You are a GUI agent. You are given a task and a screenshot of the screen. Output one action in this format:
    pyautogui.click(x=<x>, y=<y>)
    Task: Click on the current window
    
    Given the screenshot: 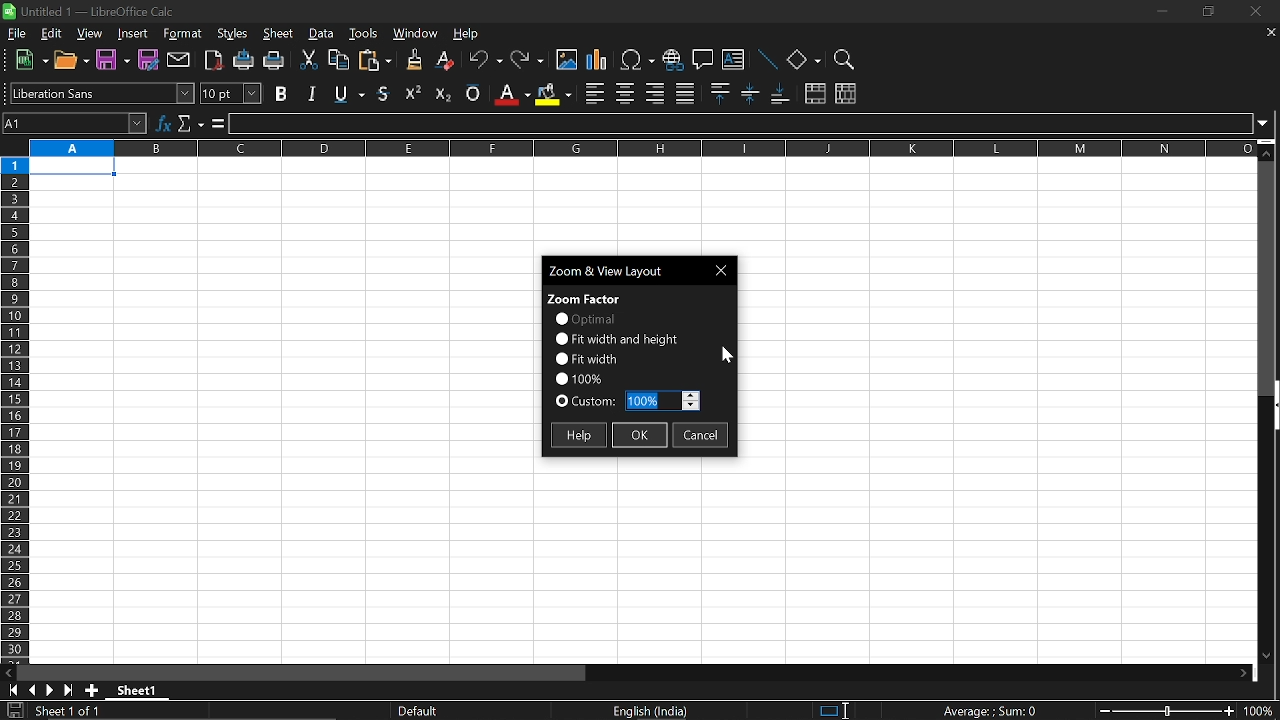 What is the action you would take?
    pyautogui.click(x=620, y=269)
    